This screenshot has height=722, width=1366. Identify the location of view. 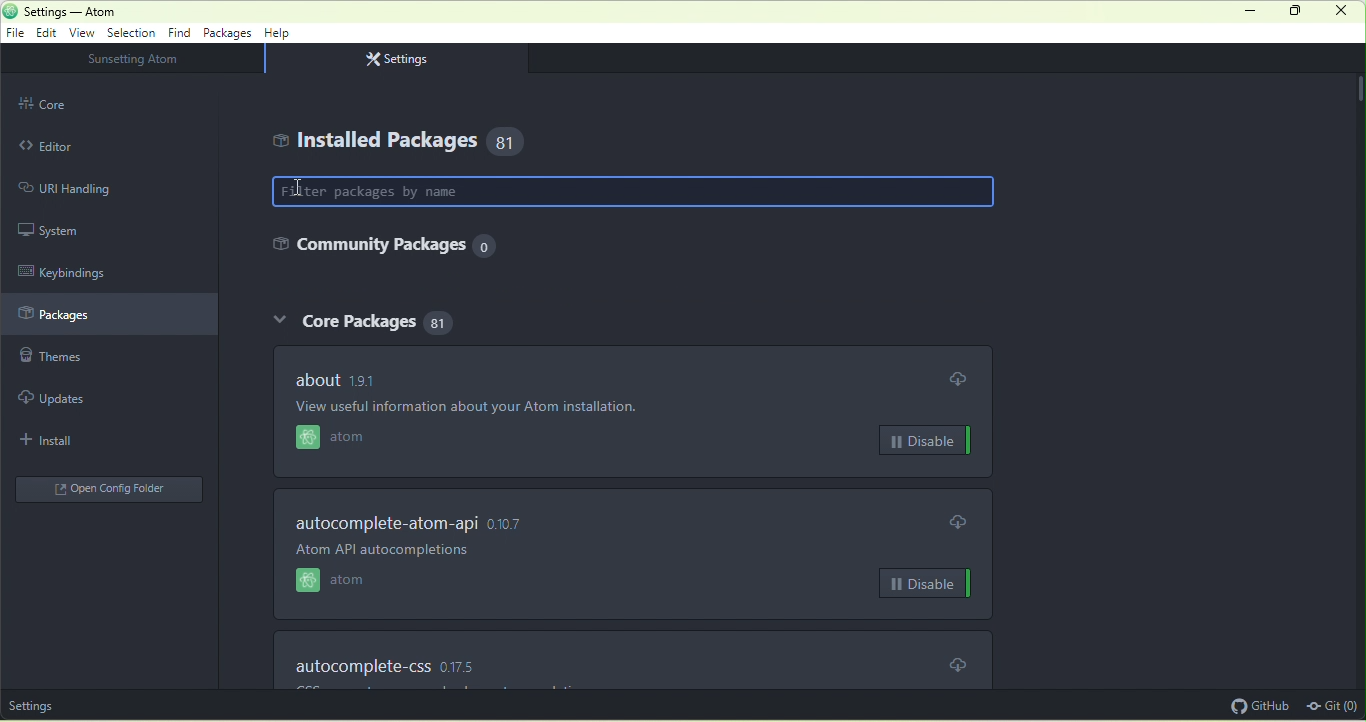
(86, 33).